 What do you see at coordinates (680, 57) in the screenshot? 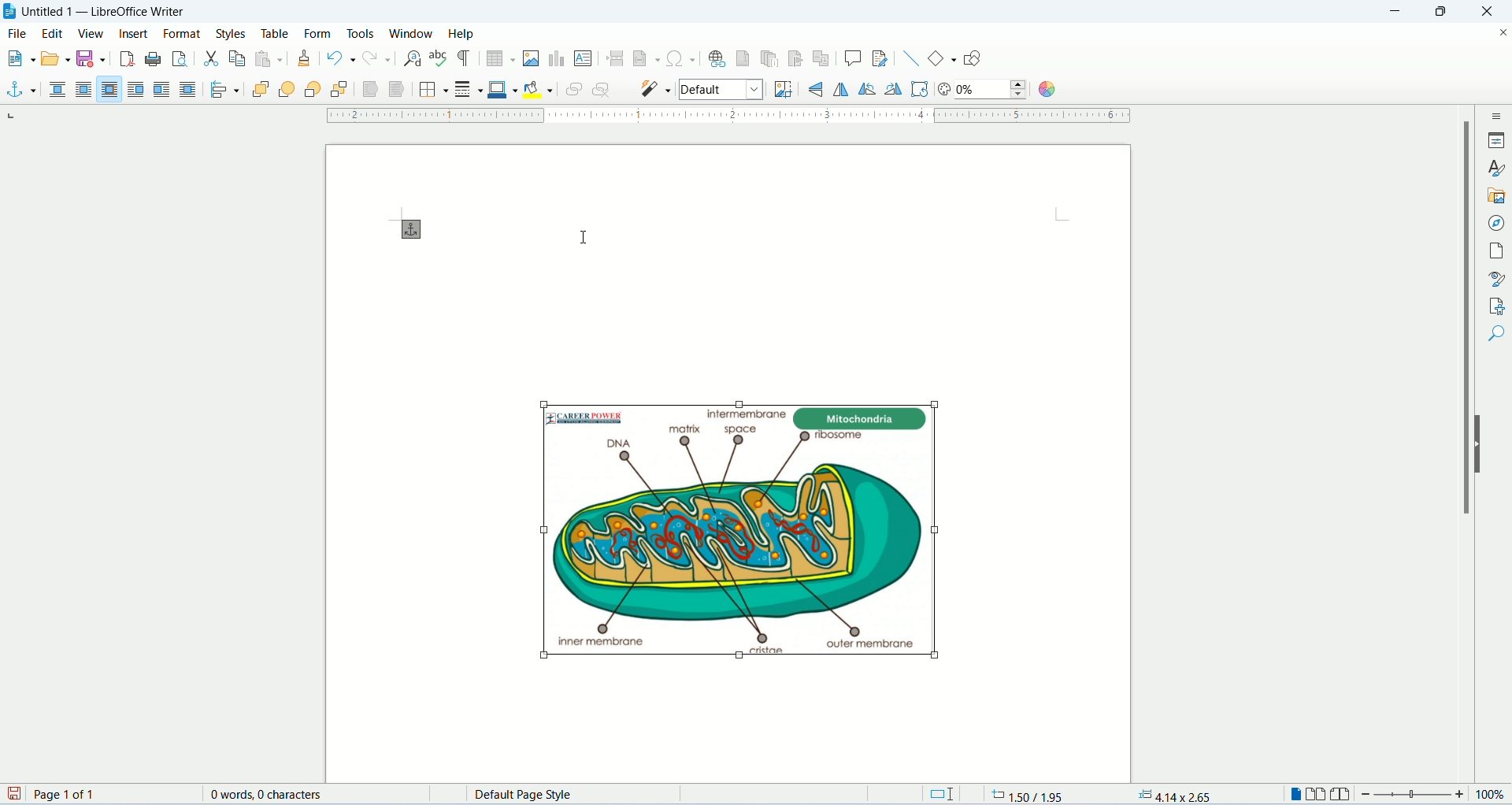
I see `insert symbol` at bounding box center [680, 57].